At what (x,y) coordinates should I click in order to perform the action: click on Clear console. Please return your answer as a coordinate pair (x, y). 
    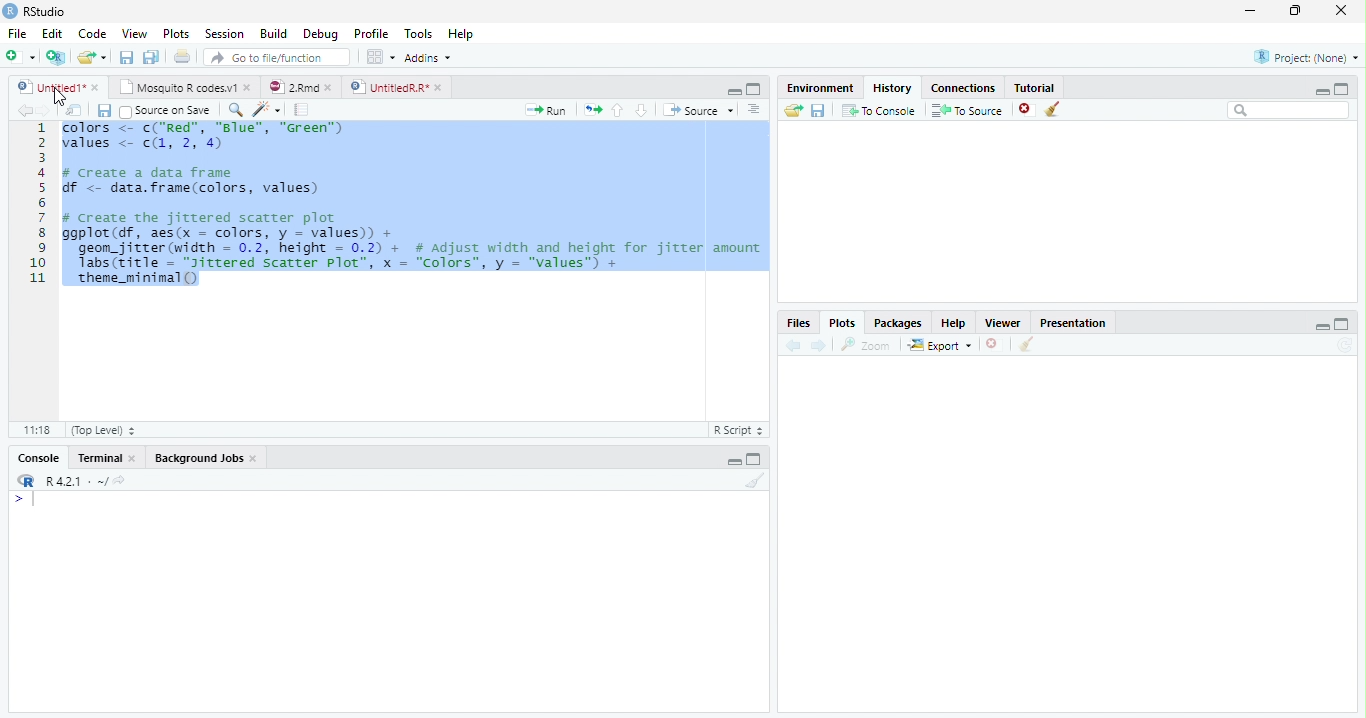
    Looking at the image, I should click on (754, 481).